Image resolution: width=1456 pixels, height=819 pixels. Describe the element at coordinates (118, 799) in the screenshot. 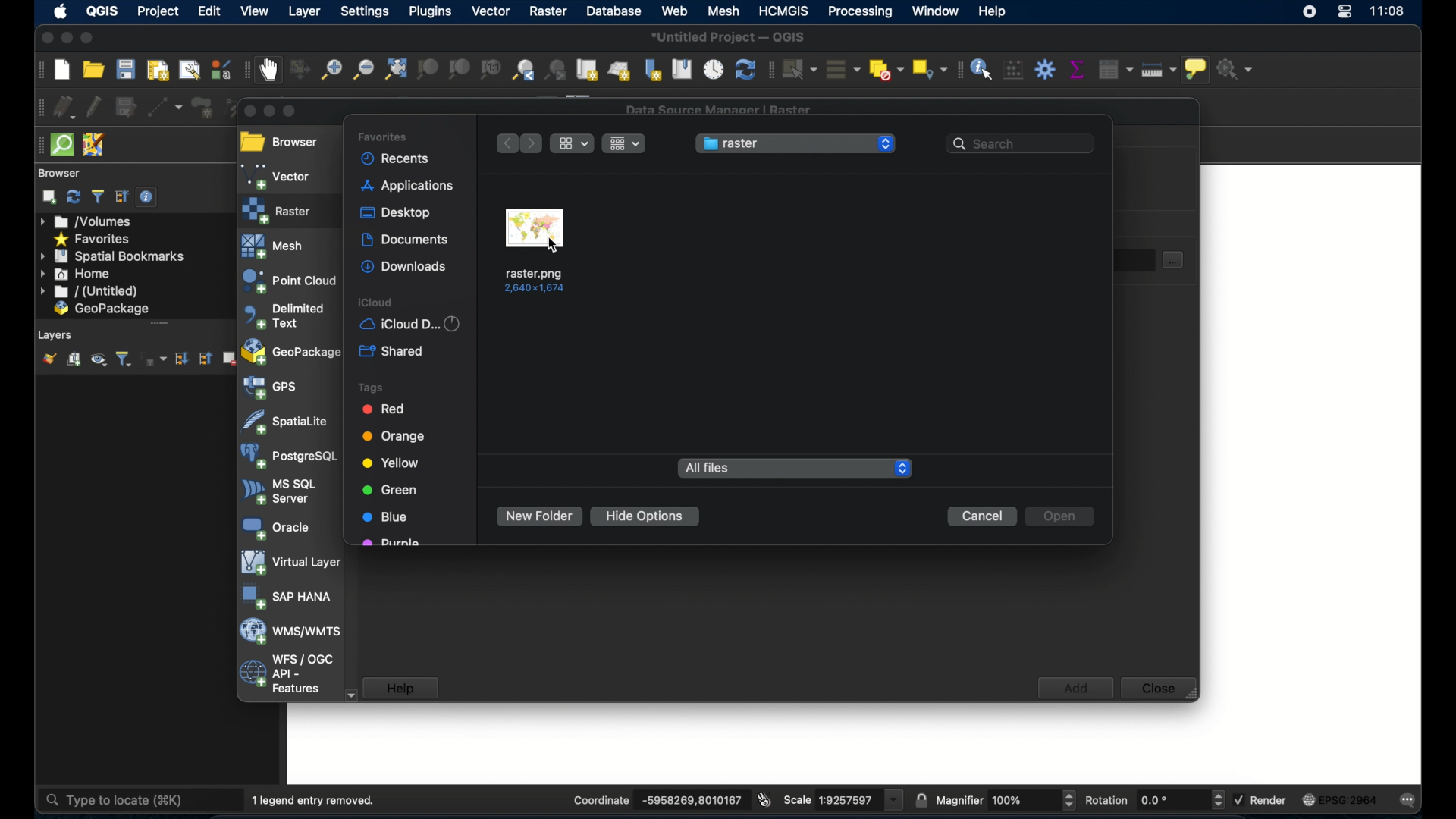

I see `type to locate` at that location.